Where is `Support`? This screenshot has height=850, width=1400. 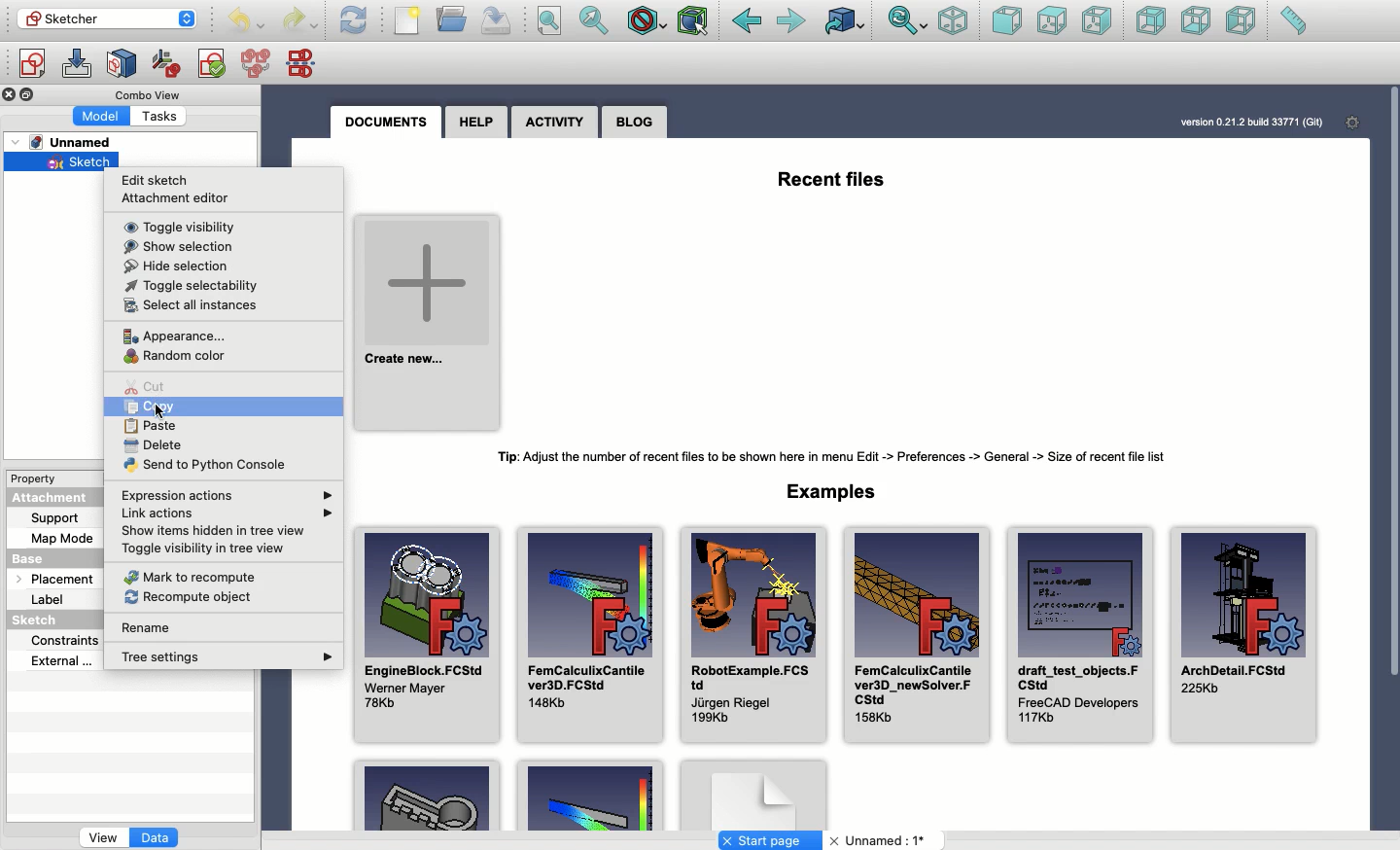
Support is located at coordinates (64, 518).